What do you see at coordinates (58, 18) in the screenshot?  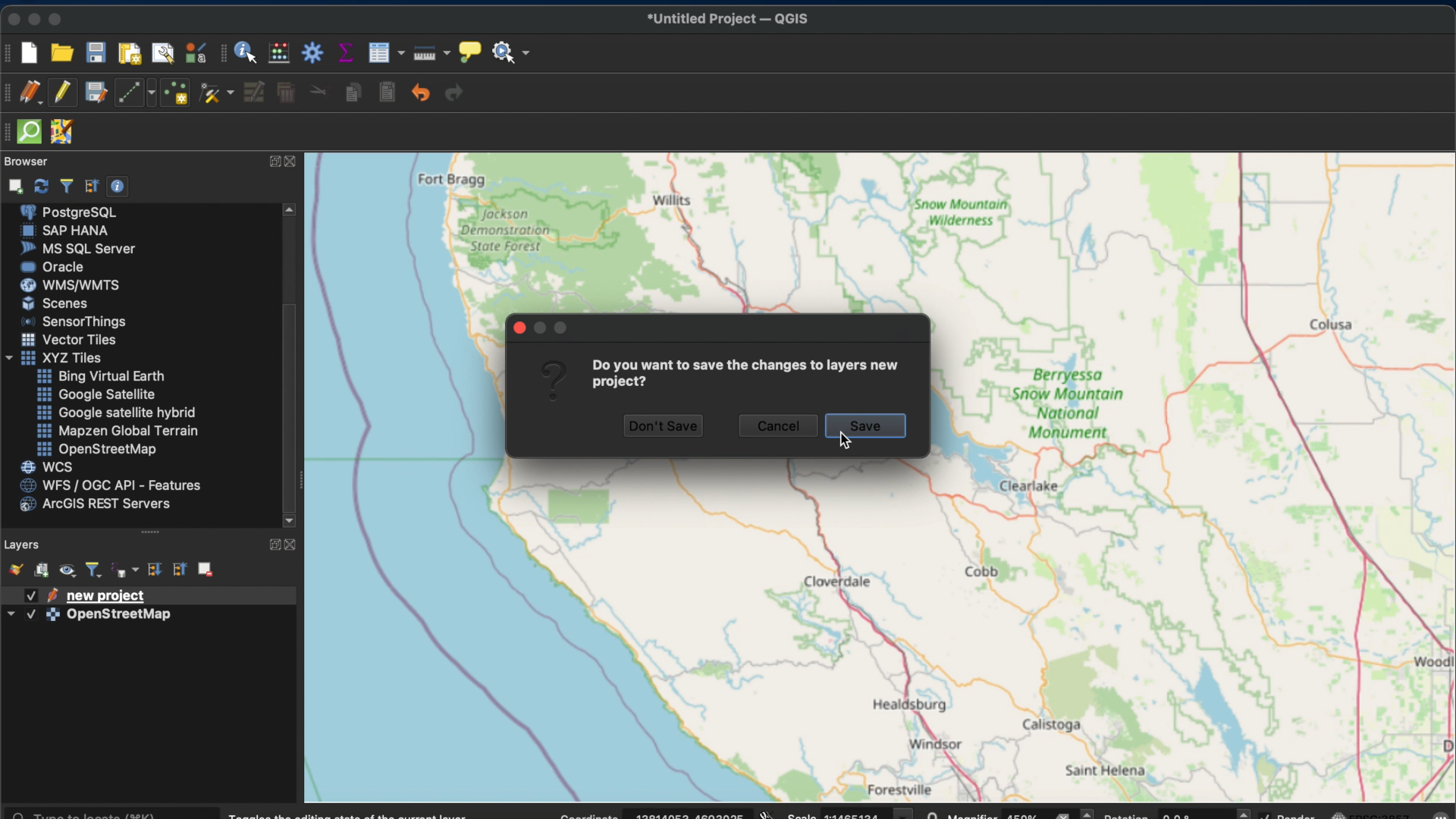 I see `maximize` at bounding box center [58, 18].